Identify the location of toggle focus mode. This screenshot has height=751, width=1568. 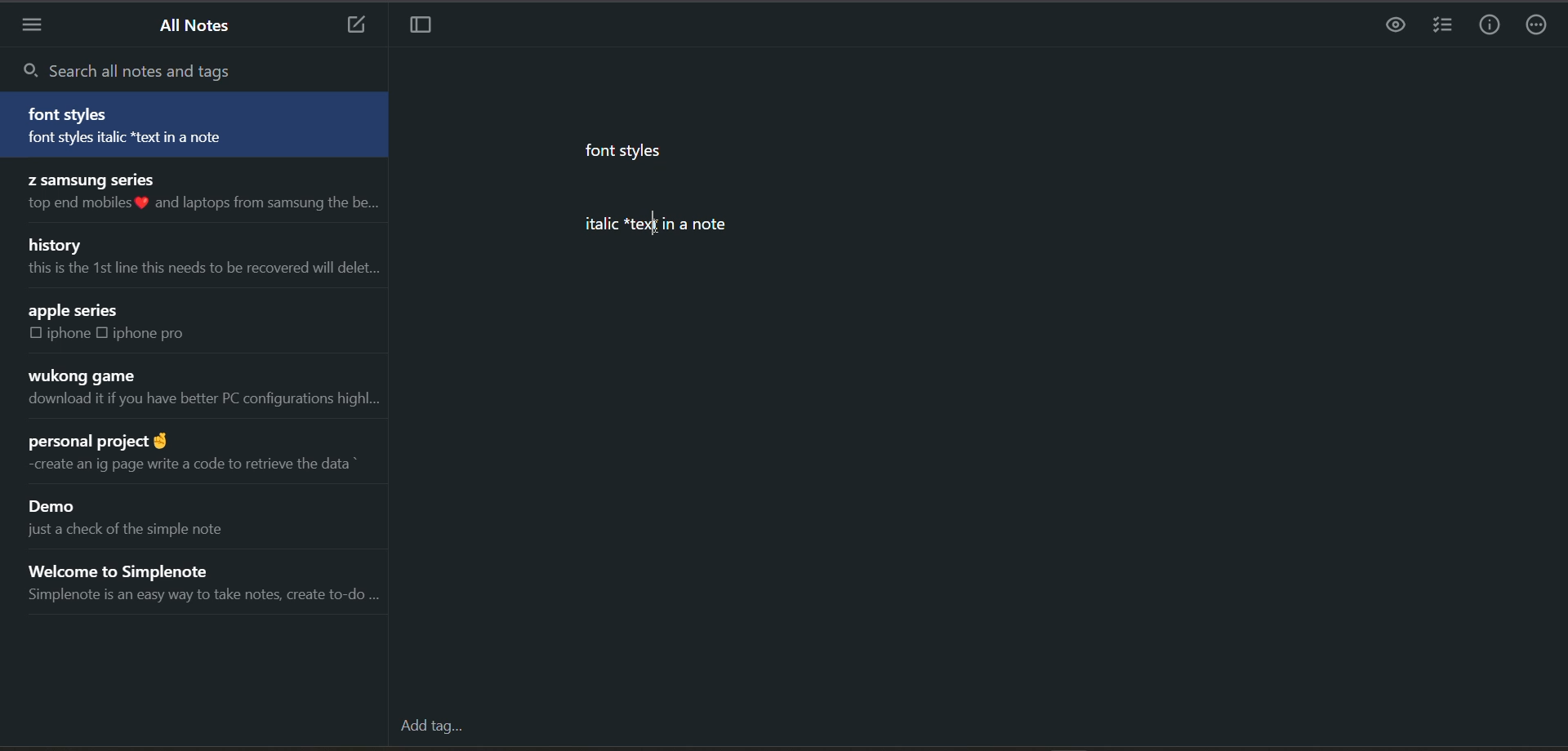
(431, 28).